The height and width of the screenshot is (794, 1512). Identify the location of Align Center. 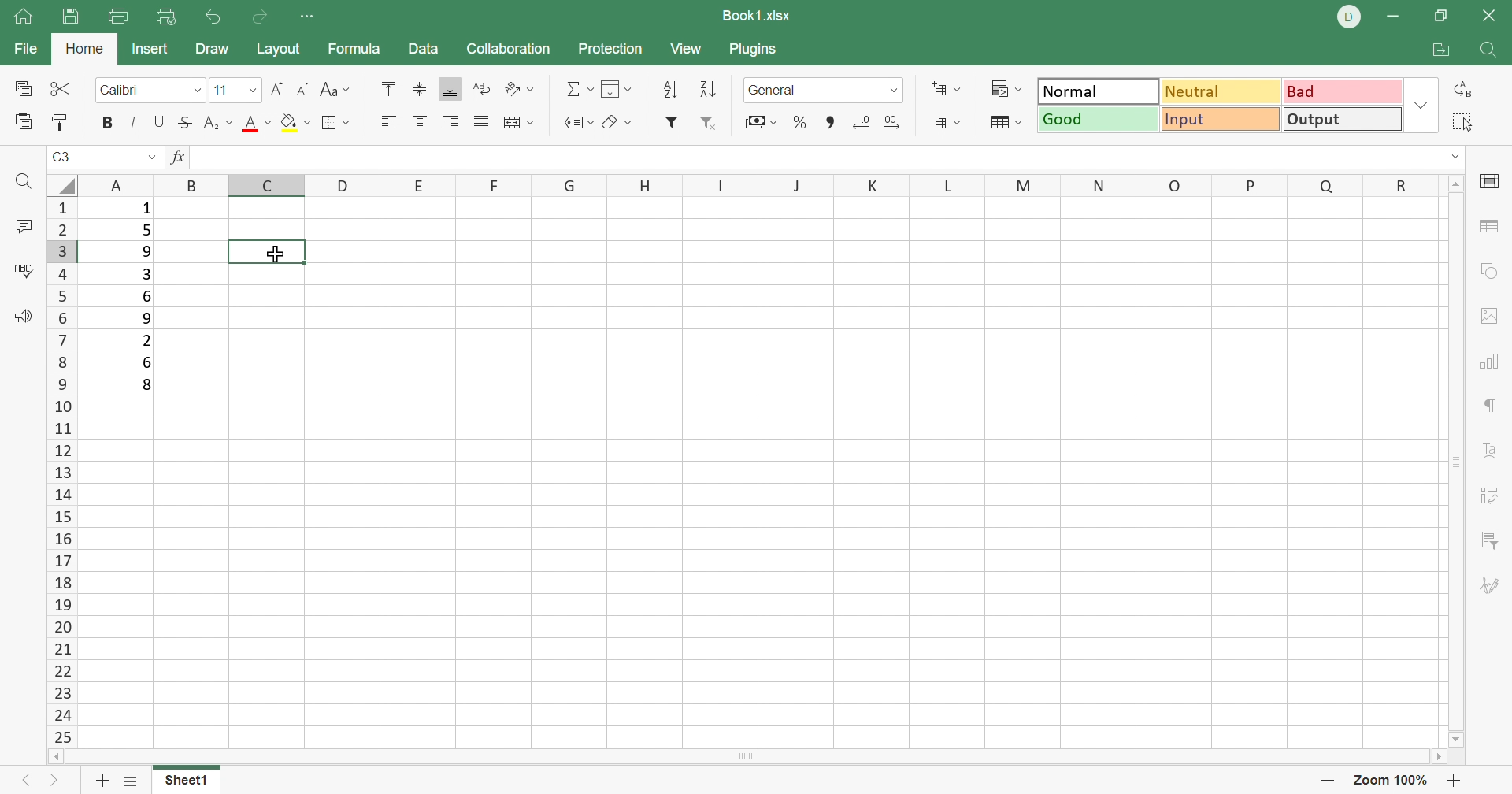
(421, 124).